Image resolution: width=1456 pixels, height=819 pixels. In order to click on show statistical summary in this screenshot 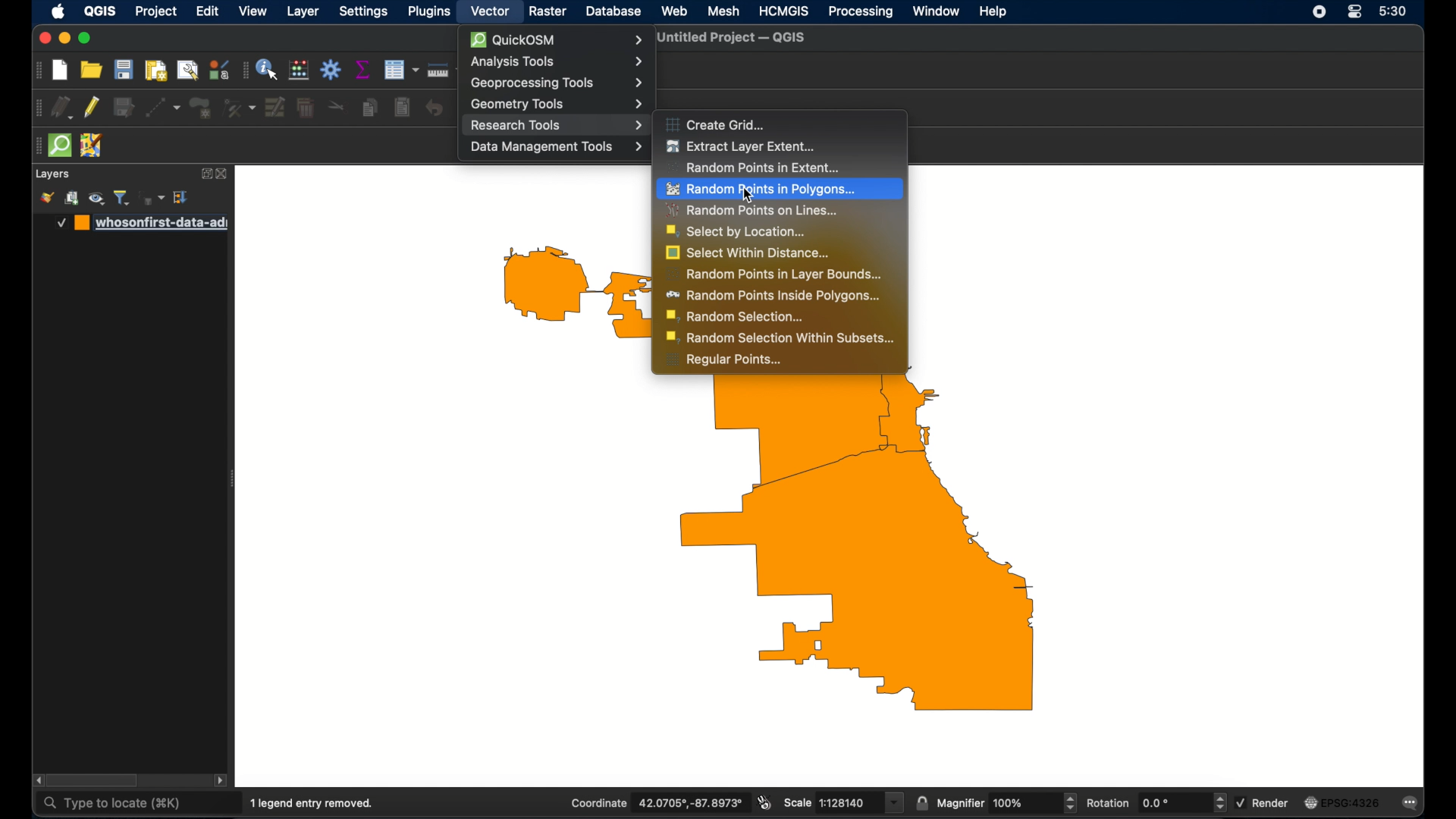, I will do `click(362, 69)`.